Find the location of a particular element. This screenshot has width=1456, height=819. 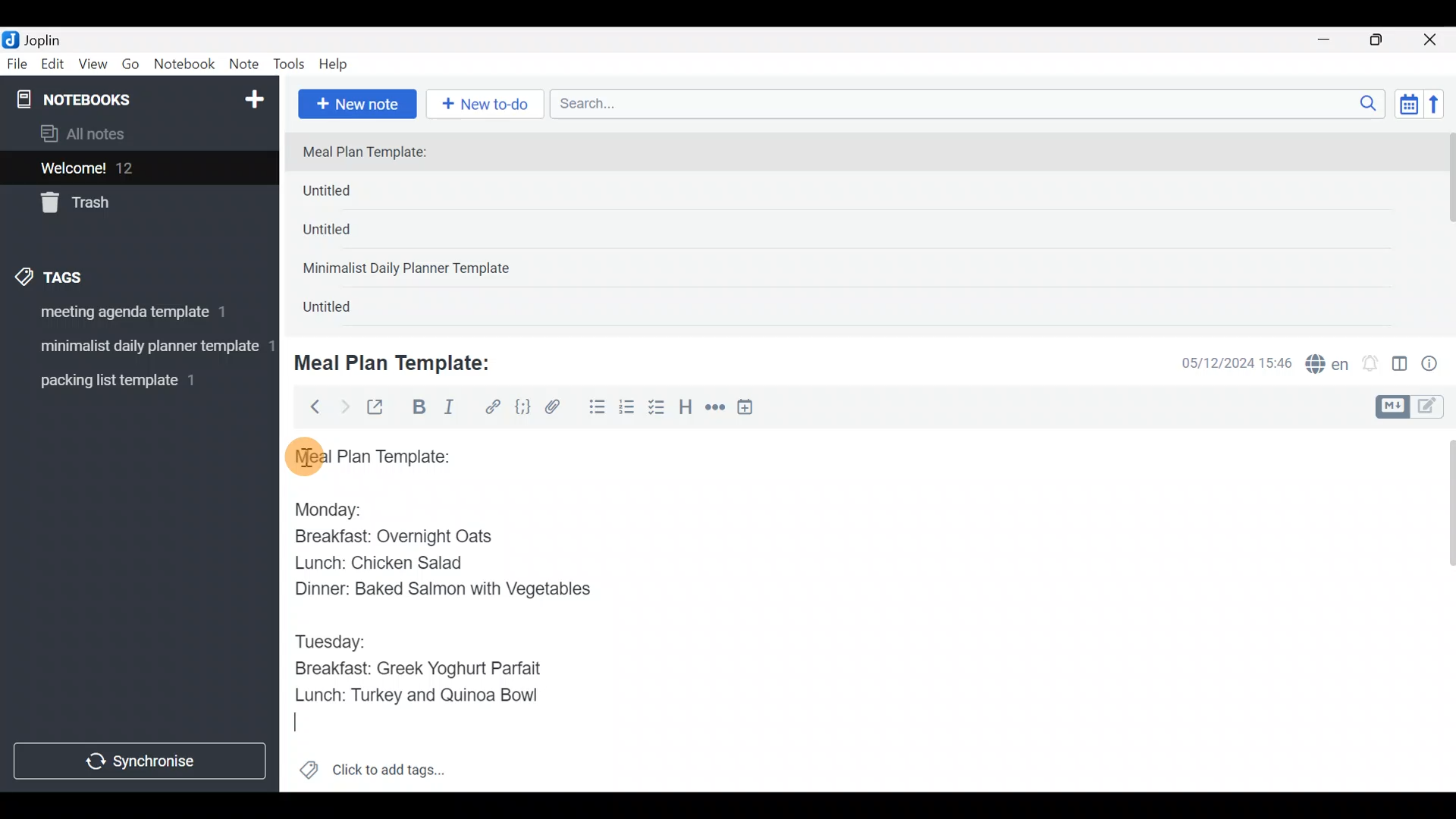

Help is located at coordinates (339, 61).